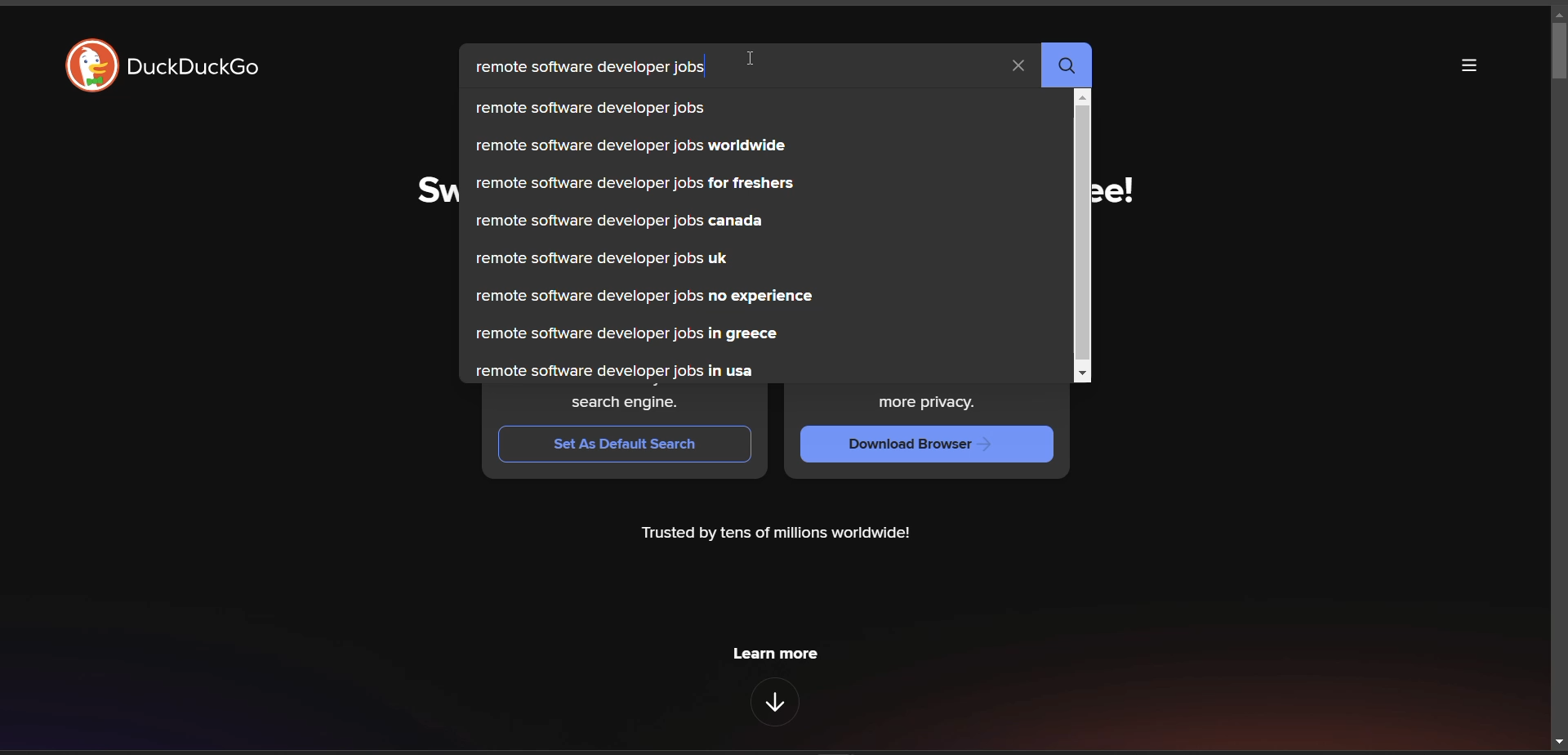 The height and width of the screenshot is (755, 1568). I want to click on remote software developer jobs canada, so click(619, 221).